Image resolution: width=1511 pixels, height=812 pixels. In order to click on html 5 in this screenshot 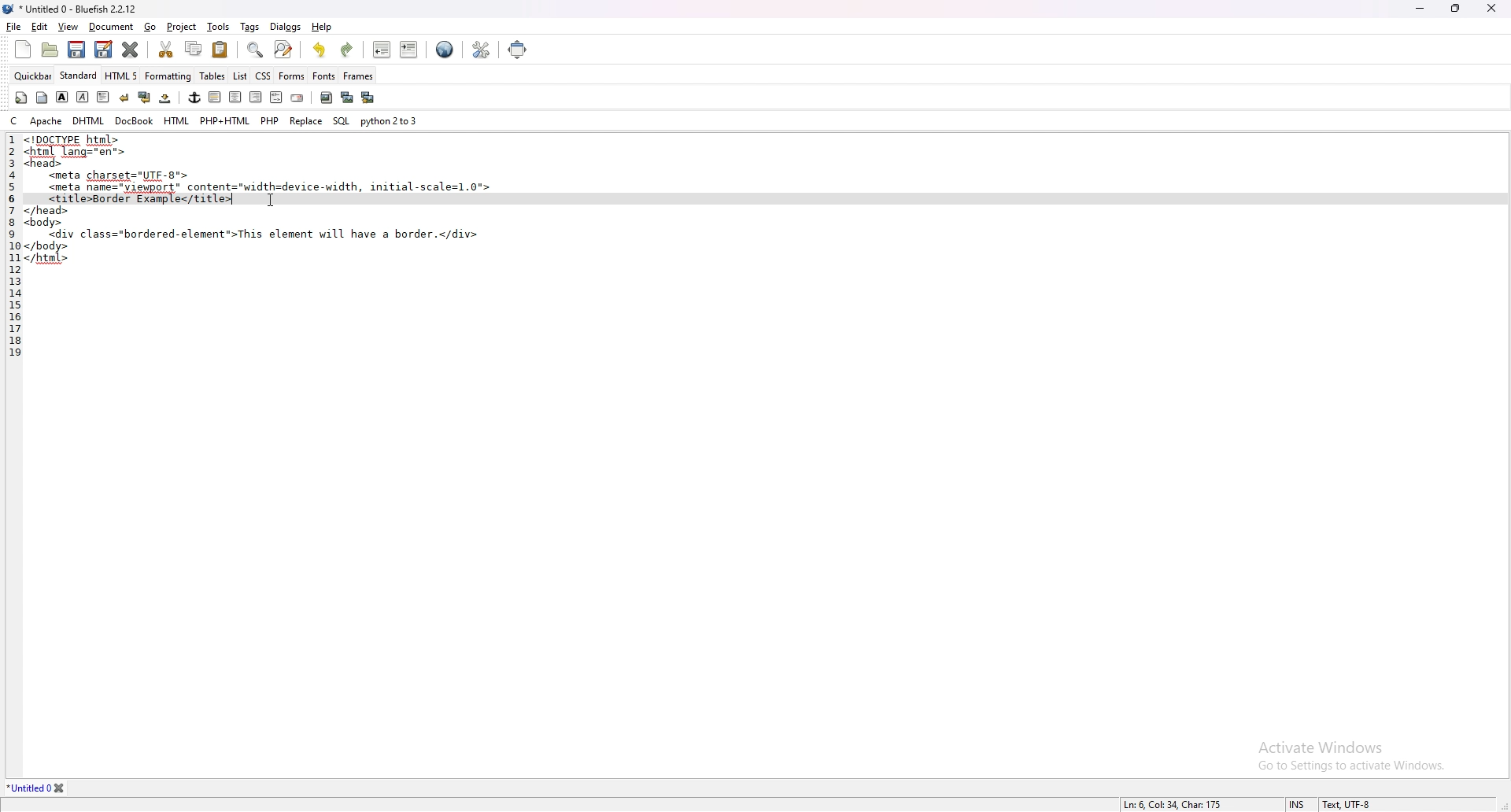, I will do `click(122, 75)`.